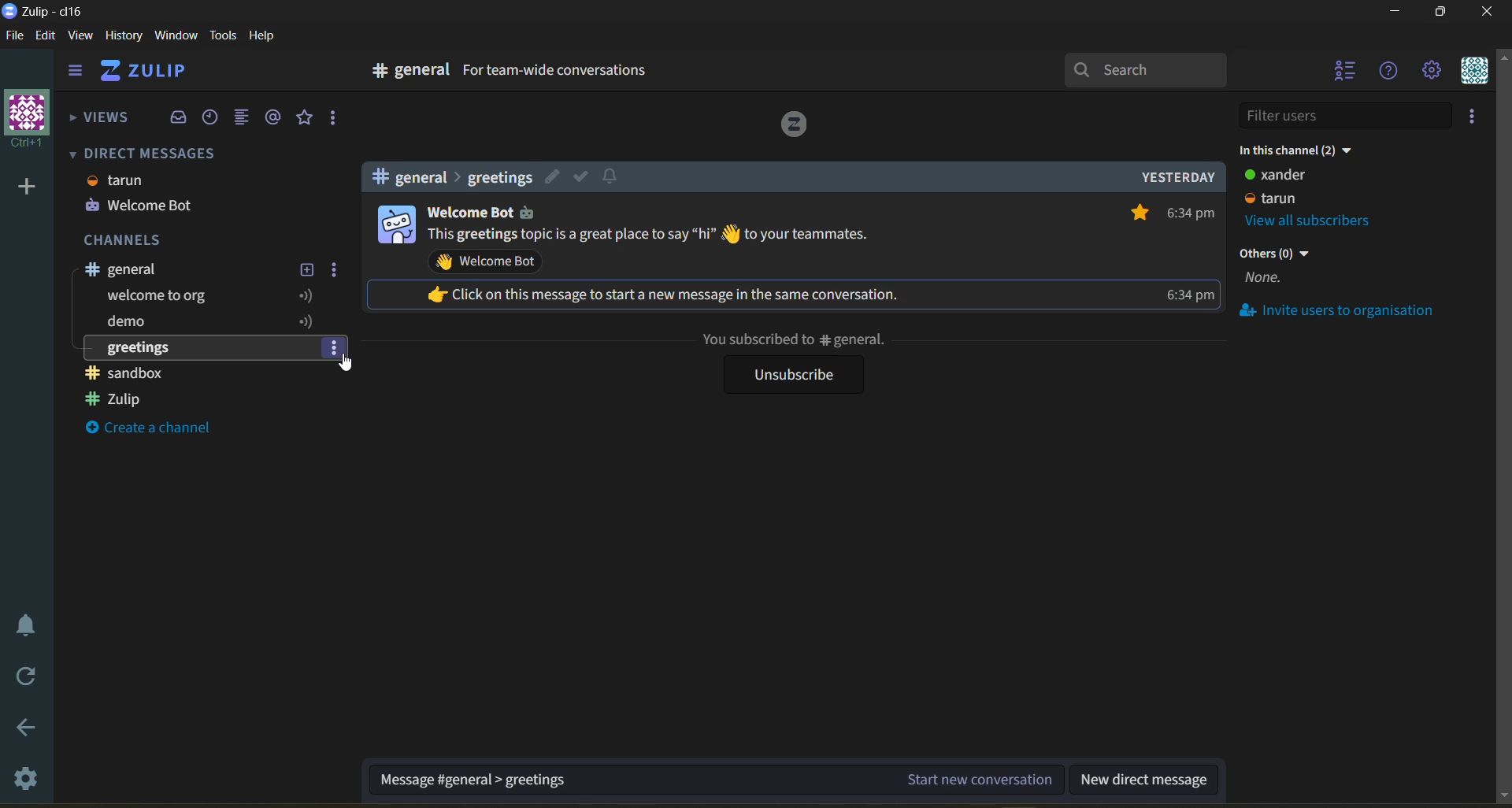 The width and height of the screenshot is (1512, 808). Describe the element at coordinates (75, 70) in the screenshot. I see `hide sidebar ` at that location.